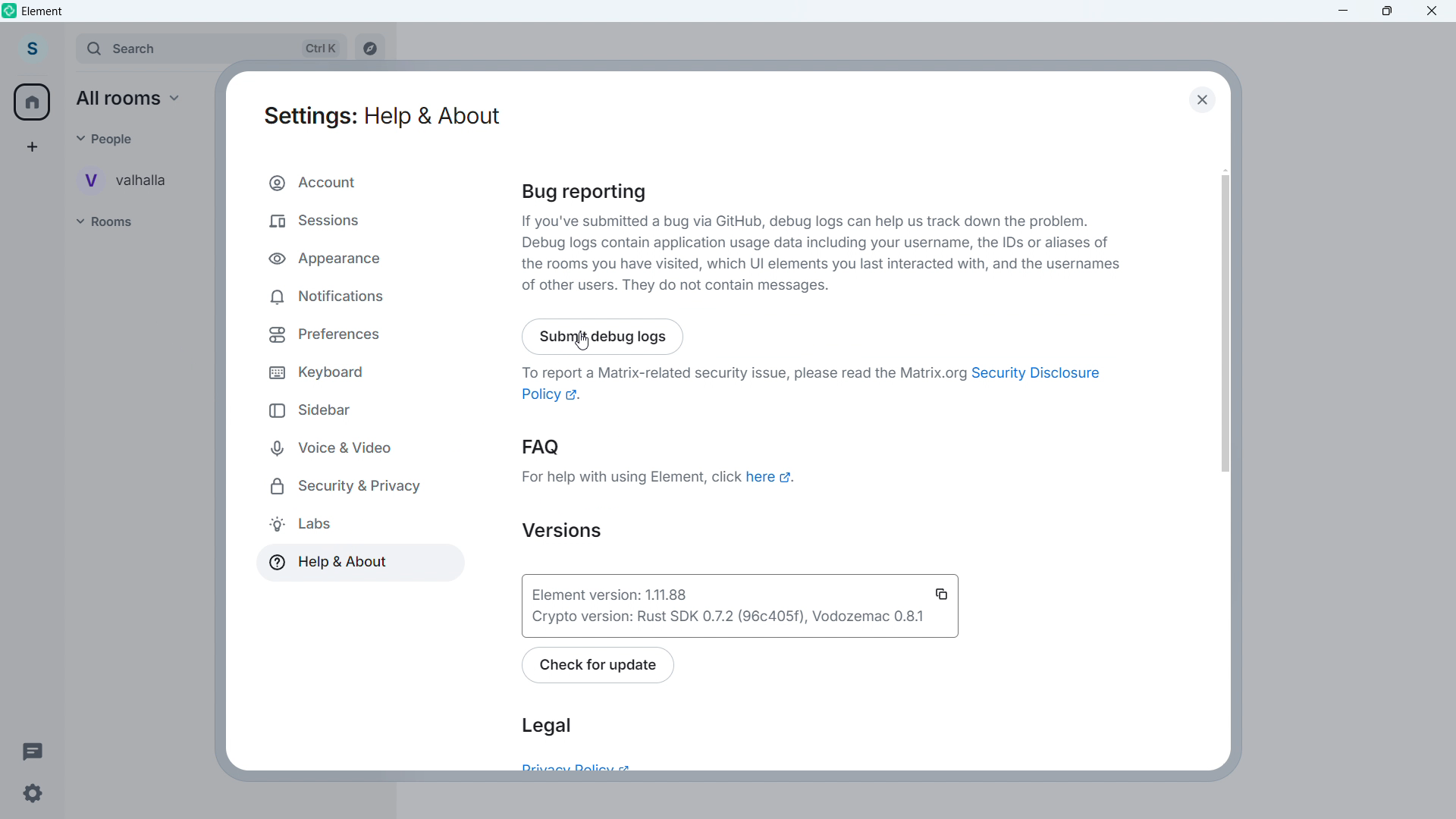 This screenshot has height=819, width=1456. I want to click on Security disclosure, so click(1033, 373).